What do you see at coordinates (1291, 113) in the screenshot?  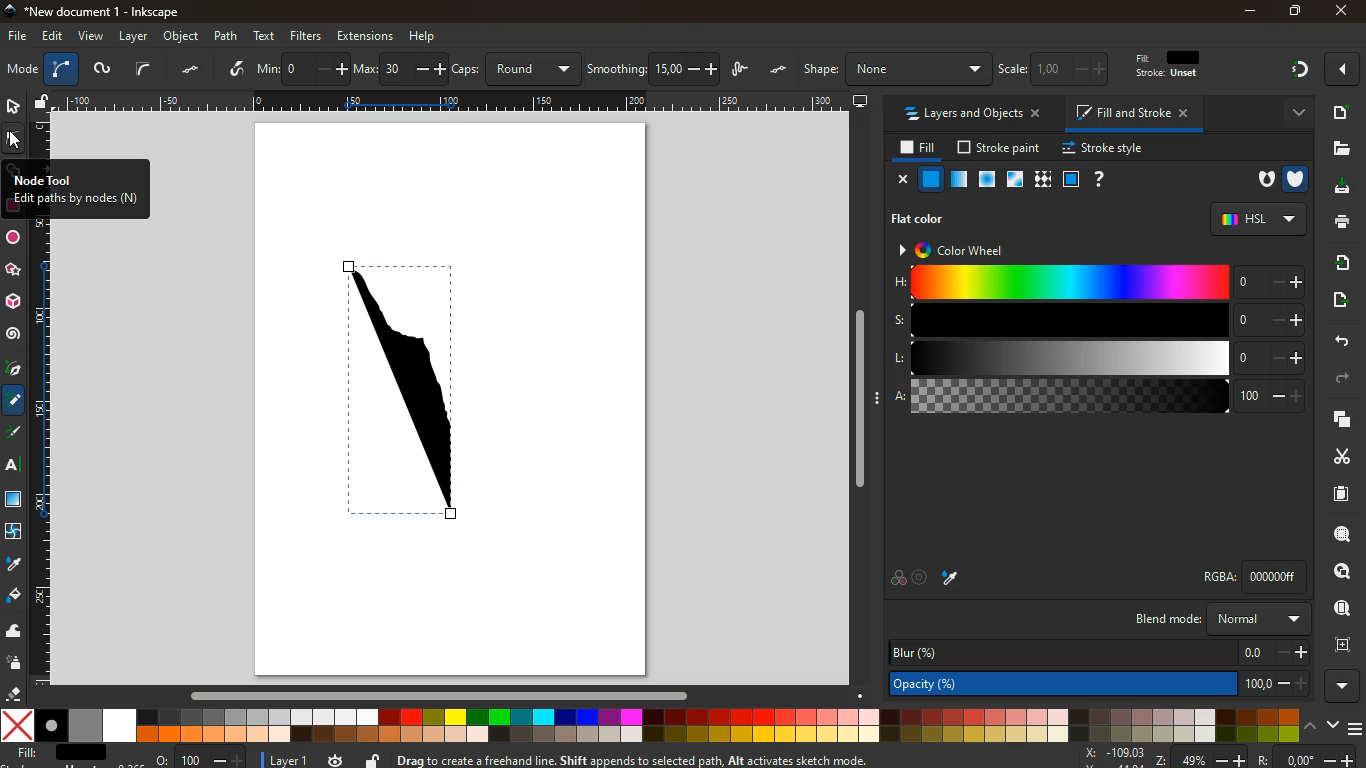 I see `more` at bounding box center [1291, 113].